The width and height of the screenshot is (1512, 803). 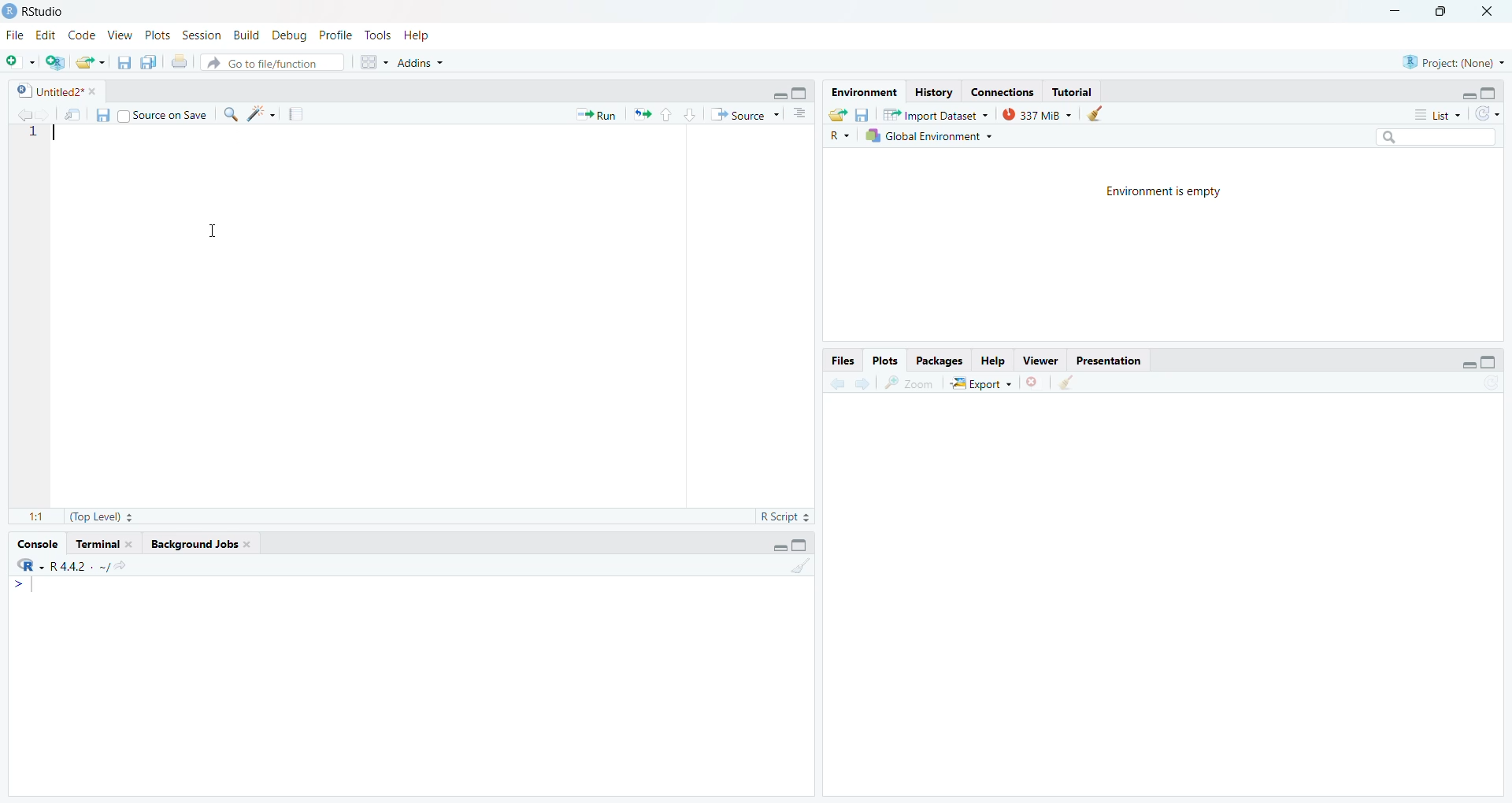 I want to click on R, so click(x=837, y=135).